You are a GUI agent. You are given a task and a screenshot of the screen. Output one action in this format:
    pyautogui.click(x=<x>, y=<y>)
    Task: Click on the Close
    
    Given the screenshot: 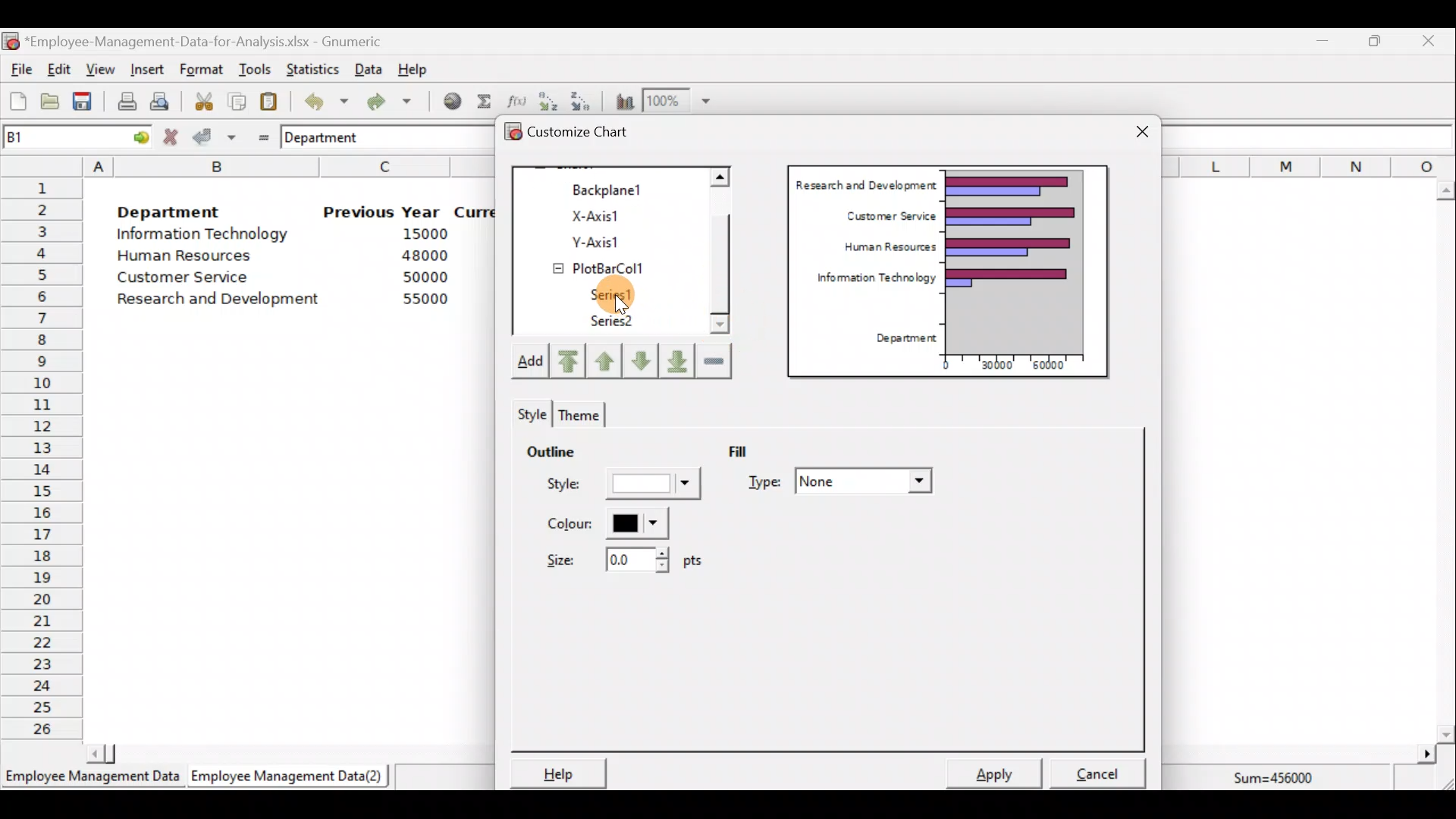 What is the action you would take?
    pyautogui.click(x=1142, y=133)
    